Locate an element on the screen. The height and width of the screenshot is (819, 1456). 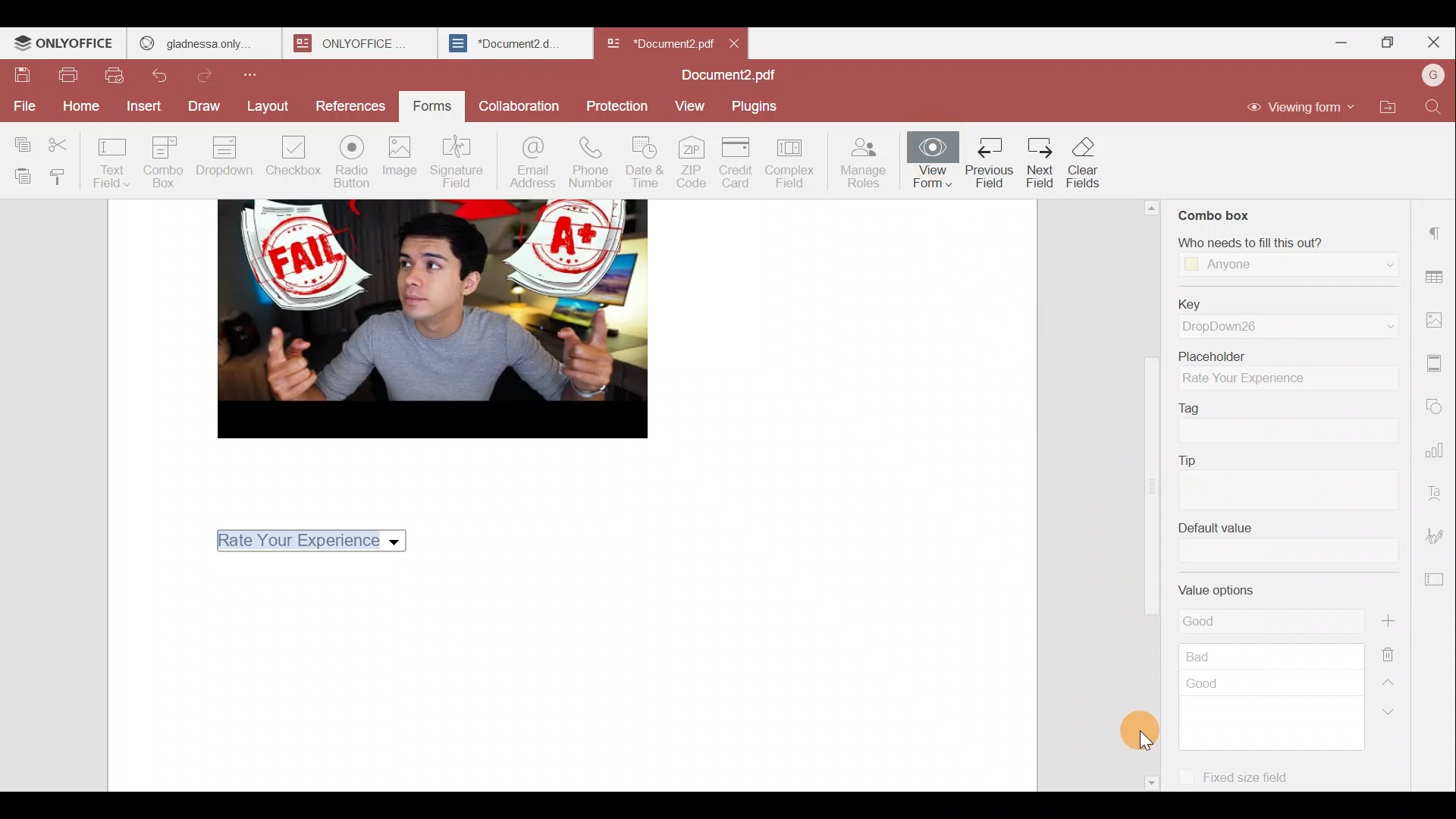
Chart settings is located at coordinates (1439, 452).